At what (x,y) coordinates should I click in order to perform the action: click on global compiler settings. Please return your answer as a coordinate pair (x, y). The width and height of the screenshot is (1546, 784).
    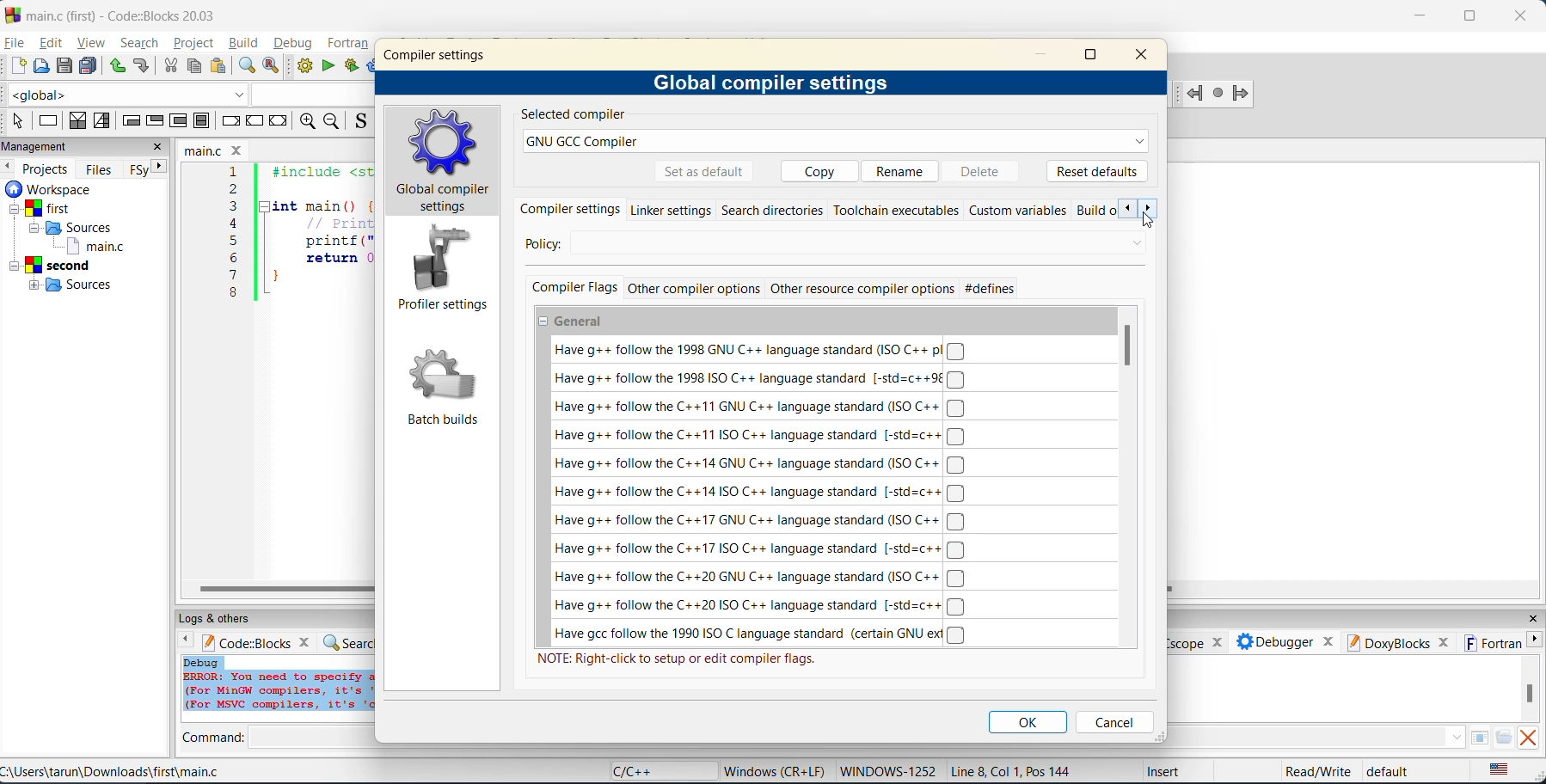
    Looking at the image, I should click on (775, 84).